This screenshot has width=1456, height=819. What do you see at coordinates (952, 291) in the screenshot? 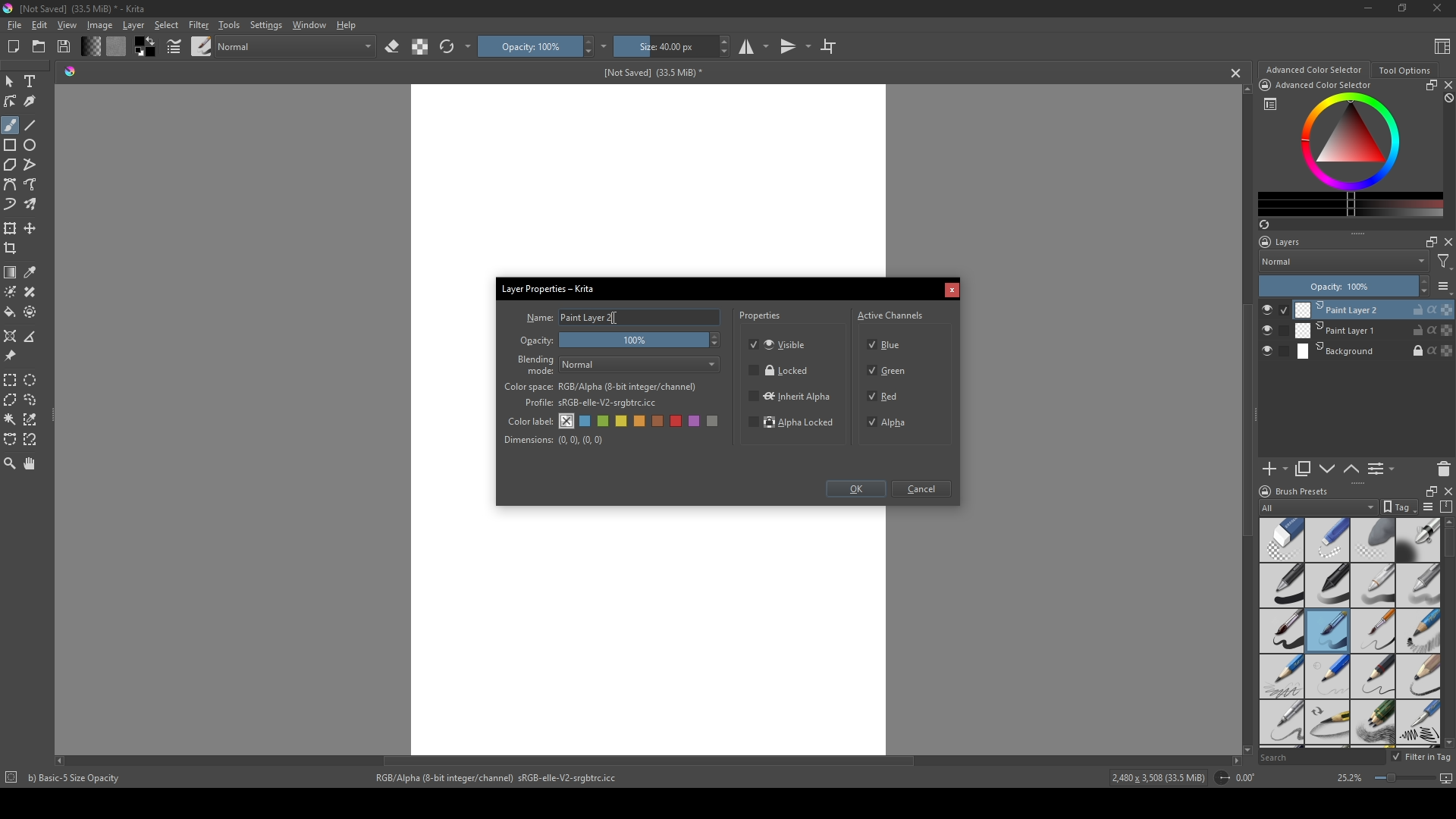
I see `Cancel` at bounding box center [952, 291].